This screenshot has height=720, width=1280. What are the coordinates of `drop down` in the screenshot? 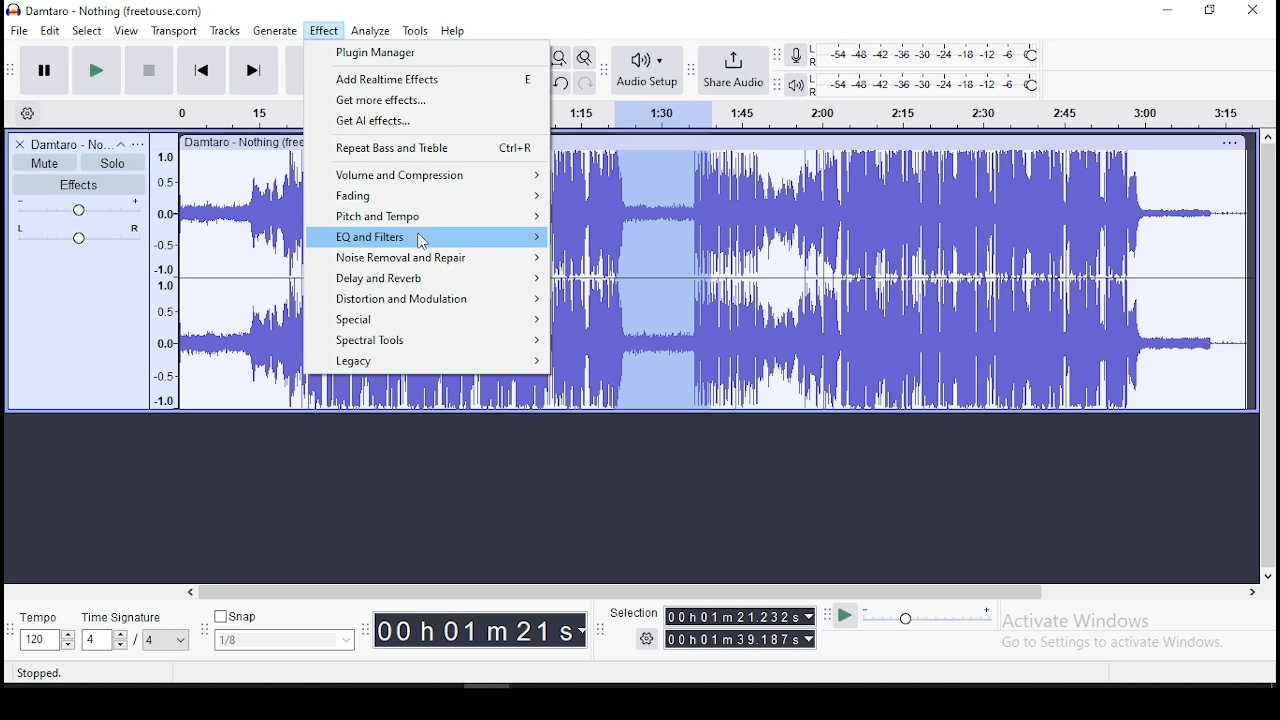 It's located at (811, 639).